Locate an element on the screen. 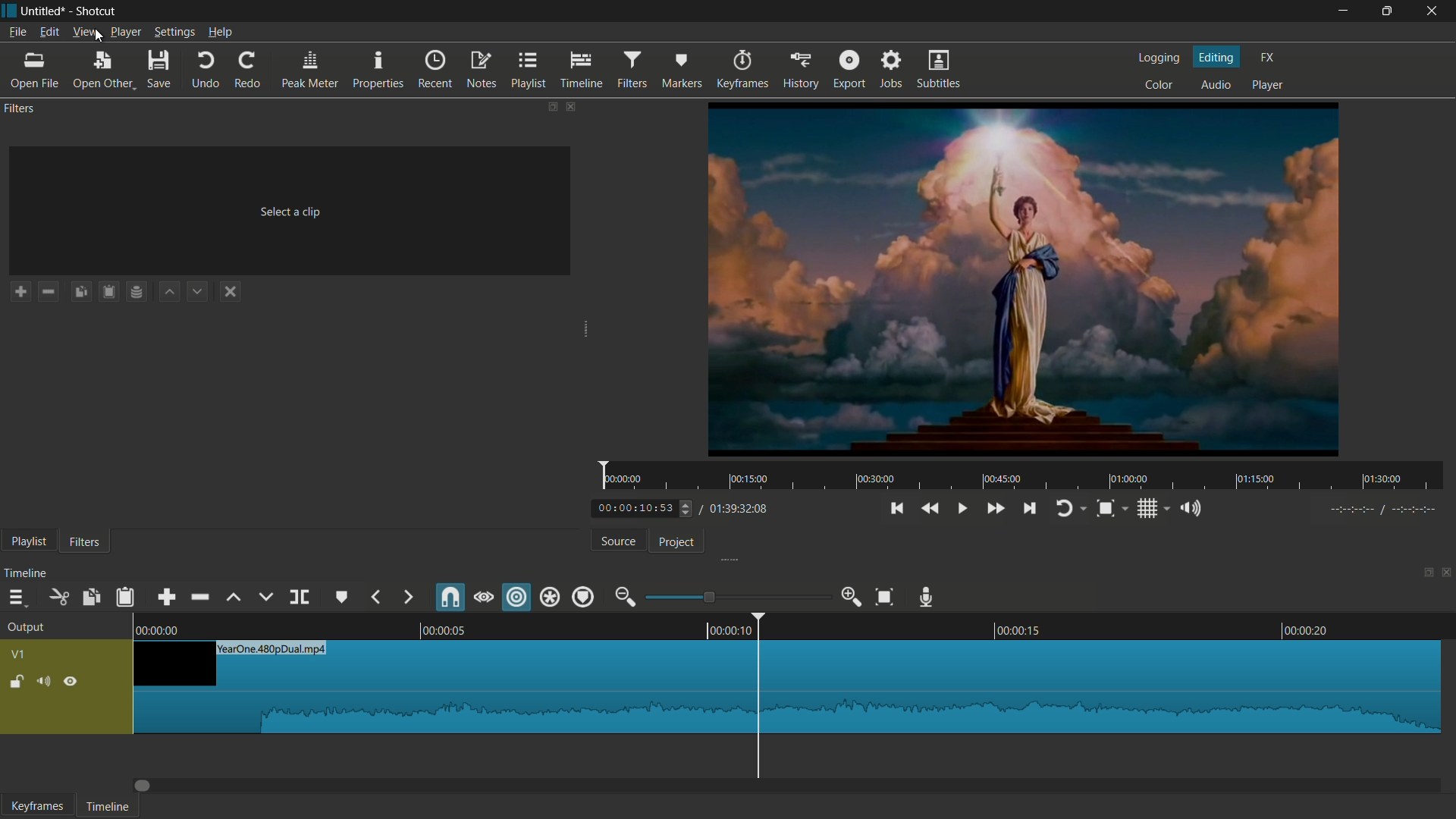 The width and height of the screenshot is (1456, 819). quickly play backward is located at coordinates (929, 509).